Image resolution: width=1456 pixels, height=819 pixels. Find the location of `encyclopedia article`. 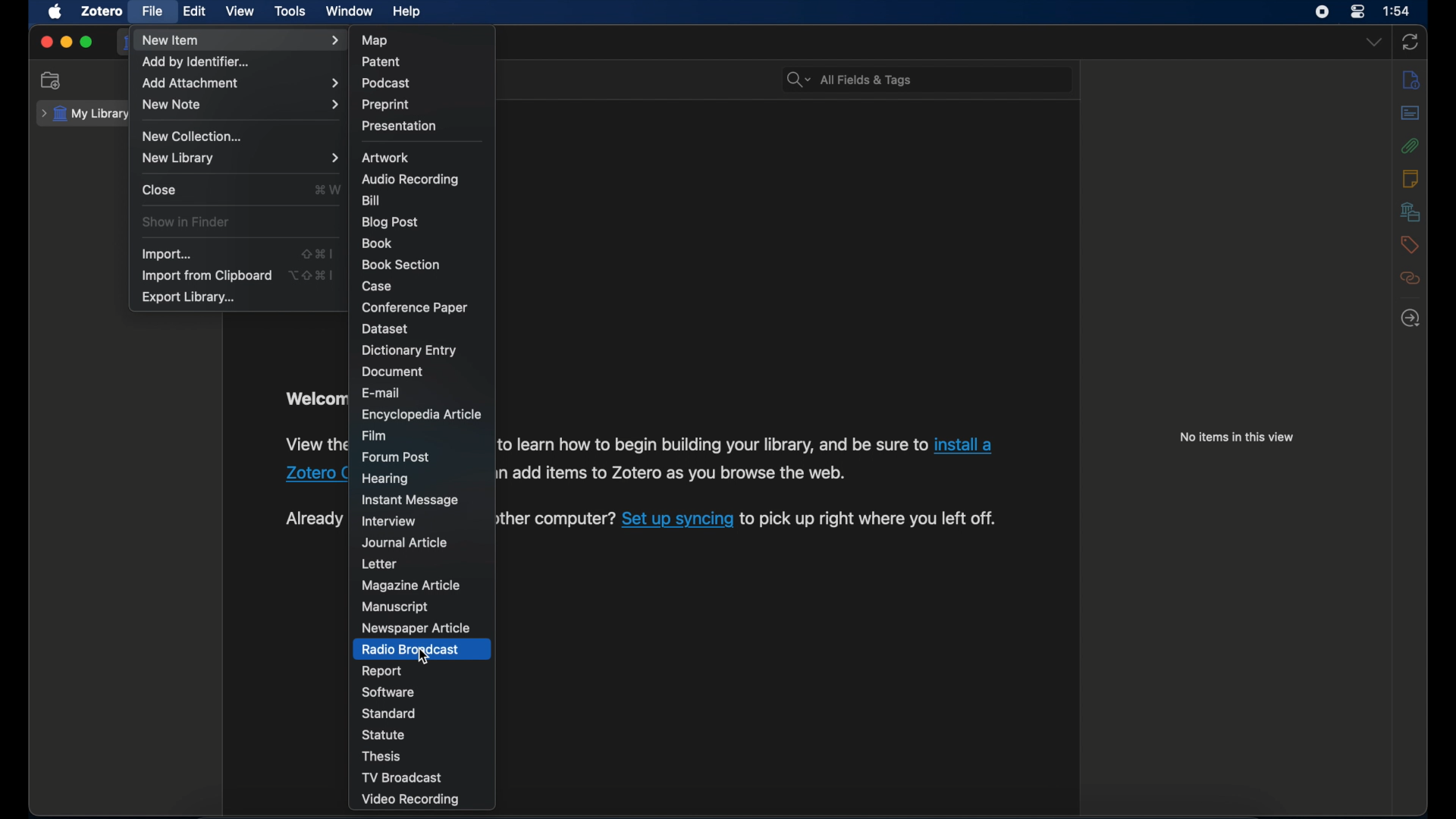

encyclopedia article is located at coordinates (422, 415).